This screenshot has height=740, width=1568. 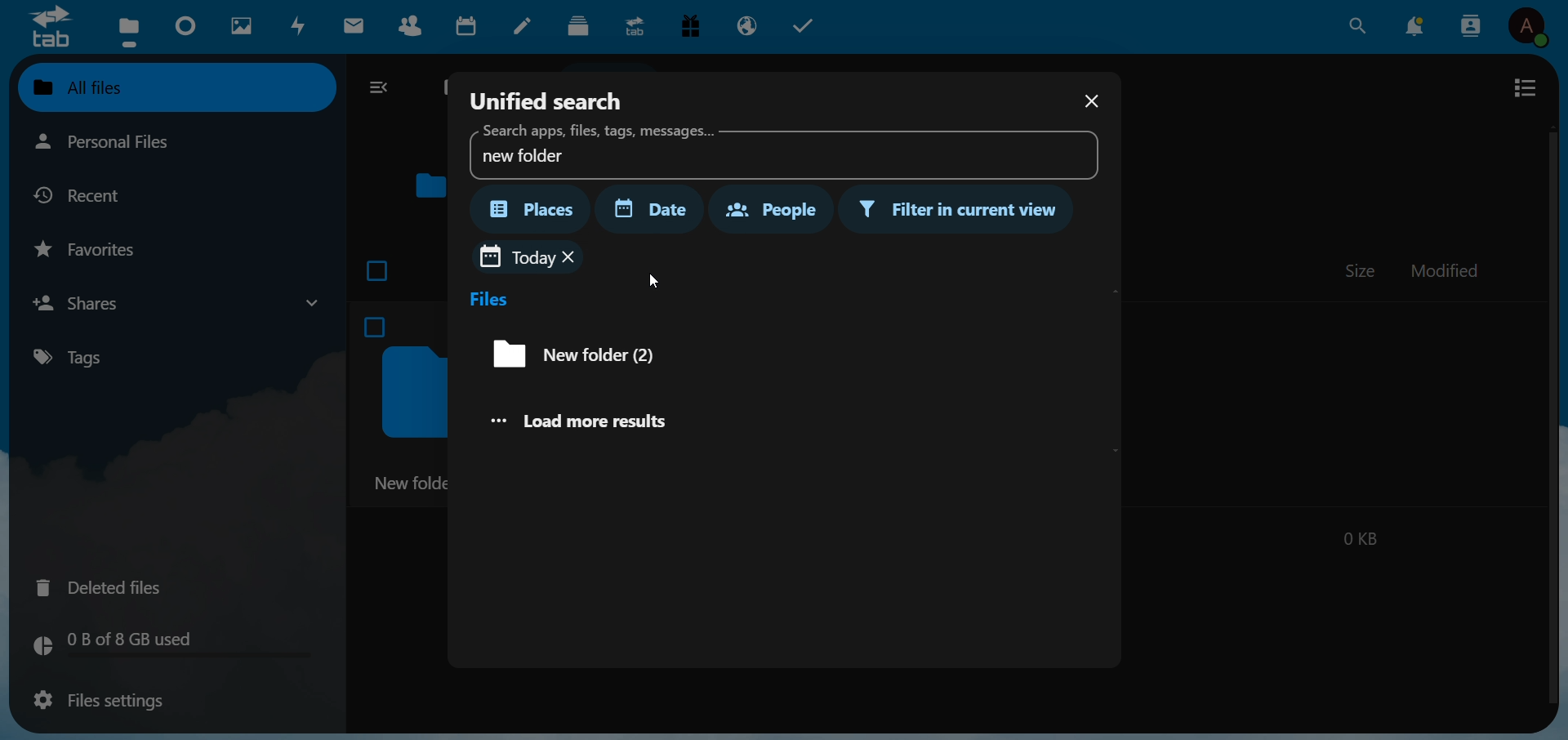 I want to click on notification, so click(x=1418, y=25).